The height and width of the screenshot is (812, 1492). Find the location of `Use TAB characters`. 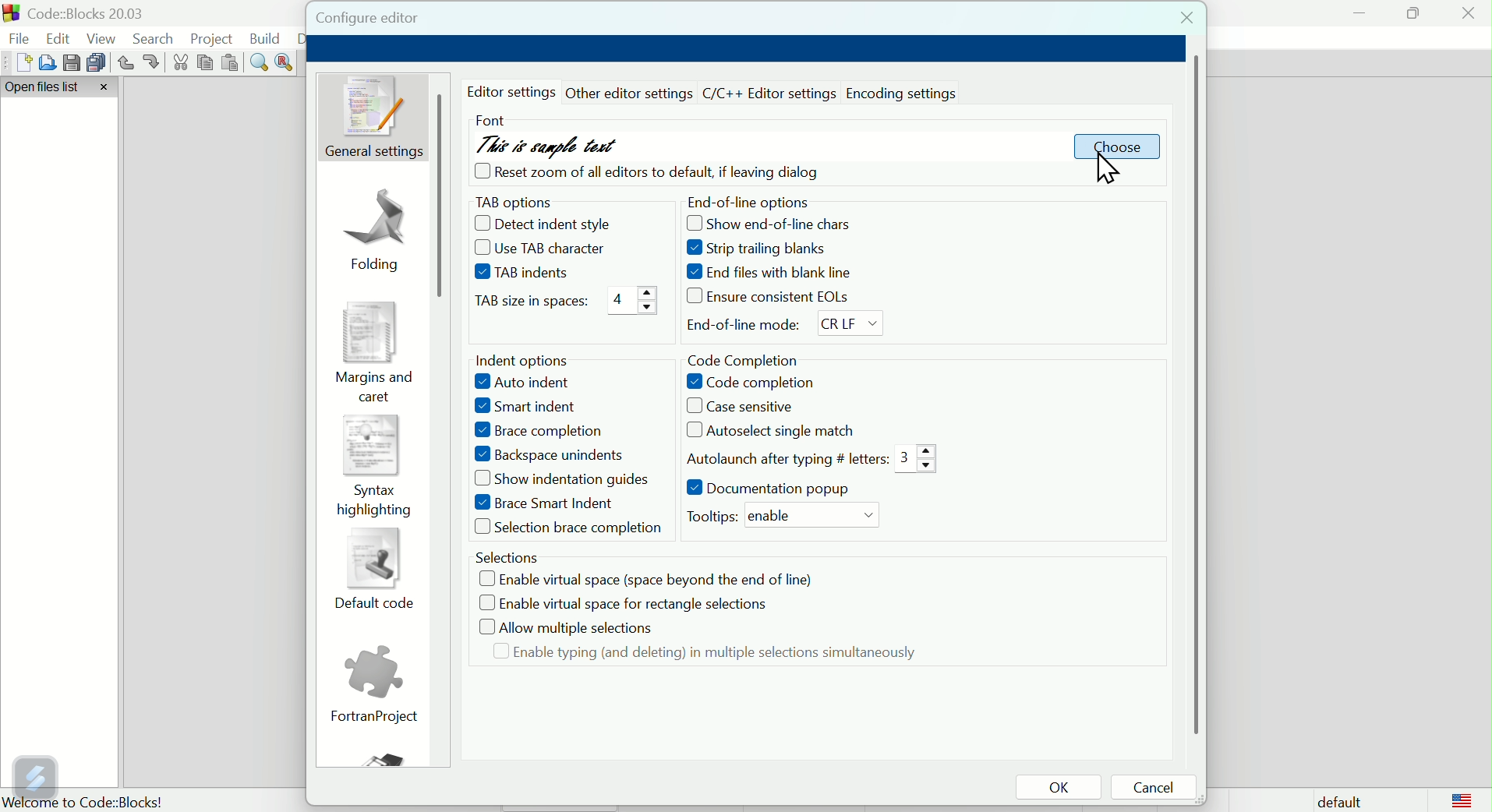

Use TAB characters is located at coordinates (550, 245).